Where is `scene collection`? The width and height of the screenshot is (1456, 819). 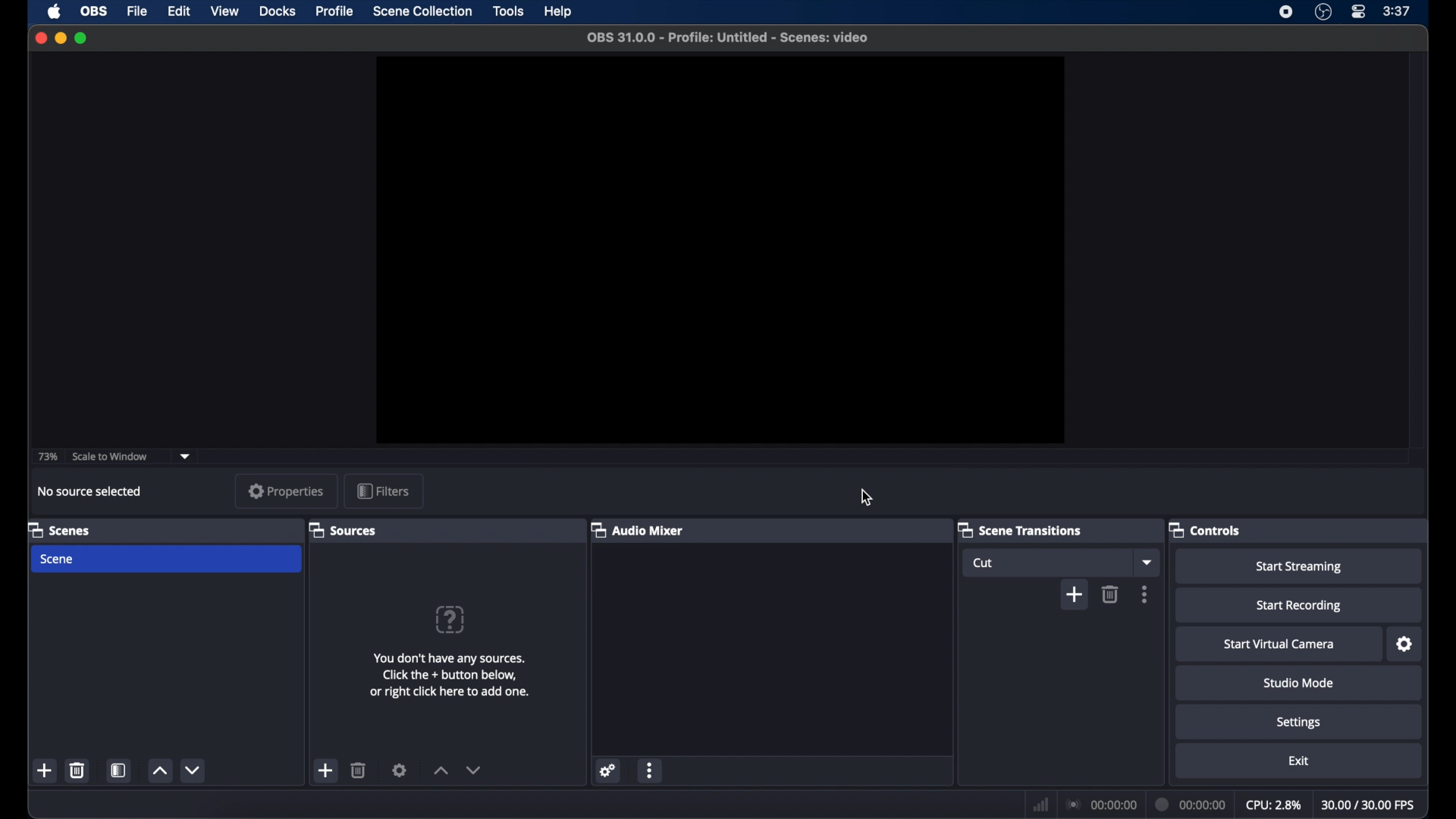 scene collection is located at coordinates (422, 11).